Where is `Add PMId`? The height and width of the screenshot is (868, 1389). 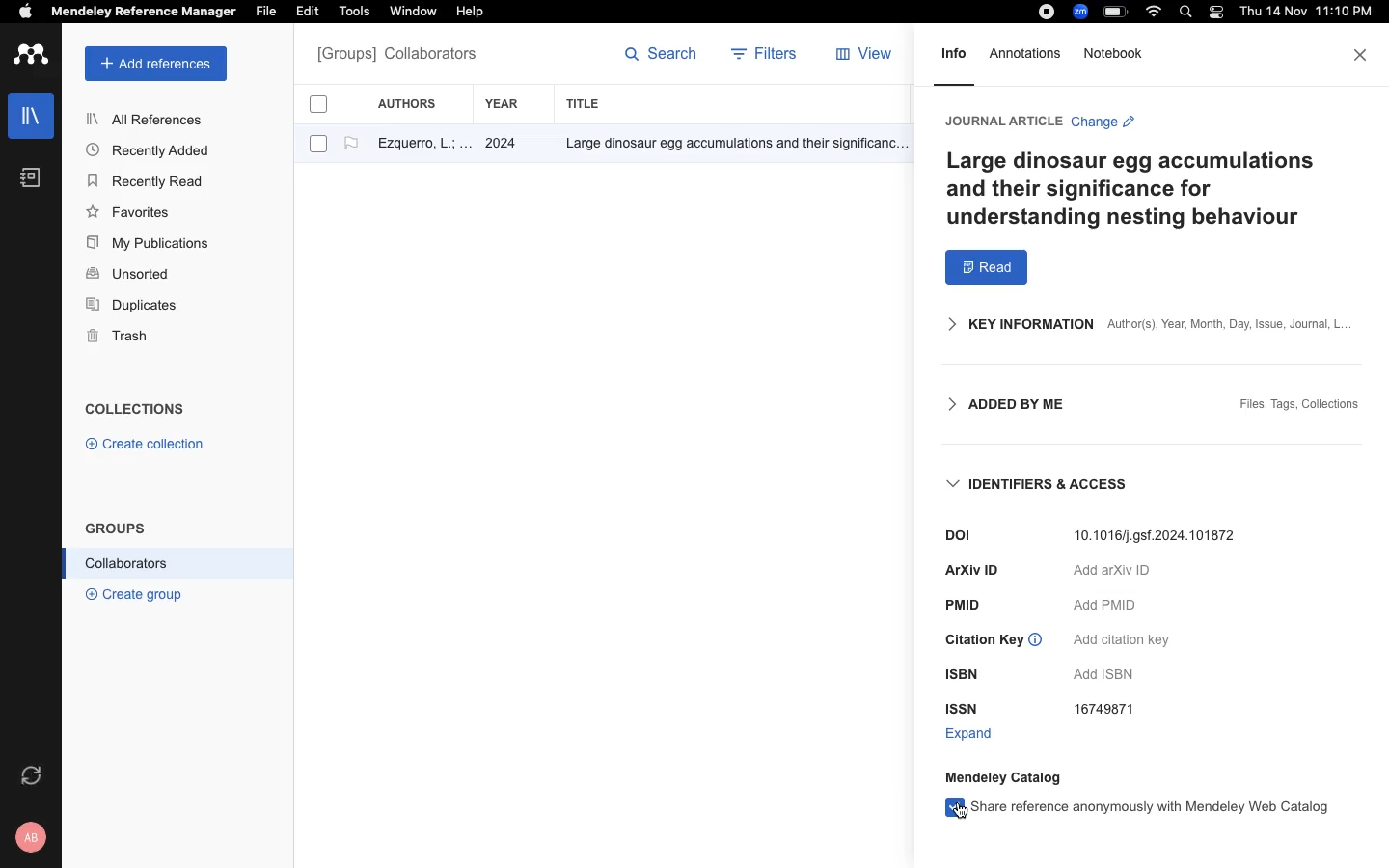 Add PMId is located at coordinates (1107, 605).